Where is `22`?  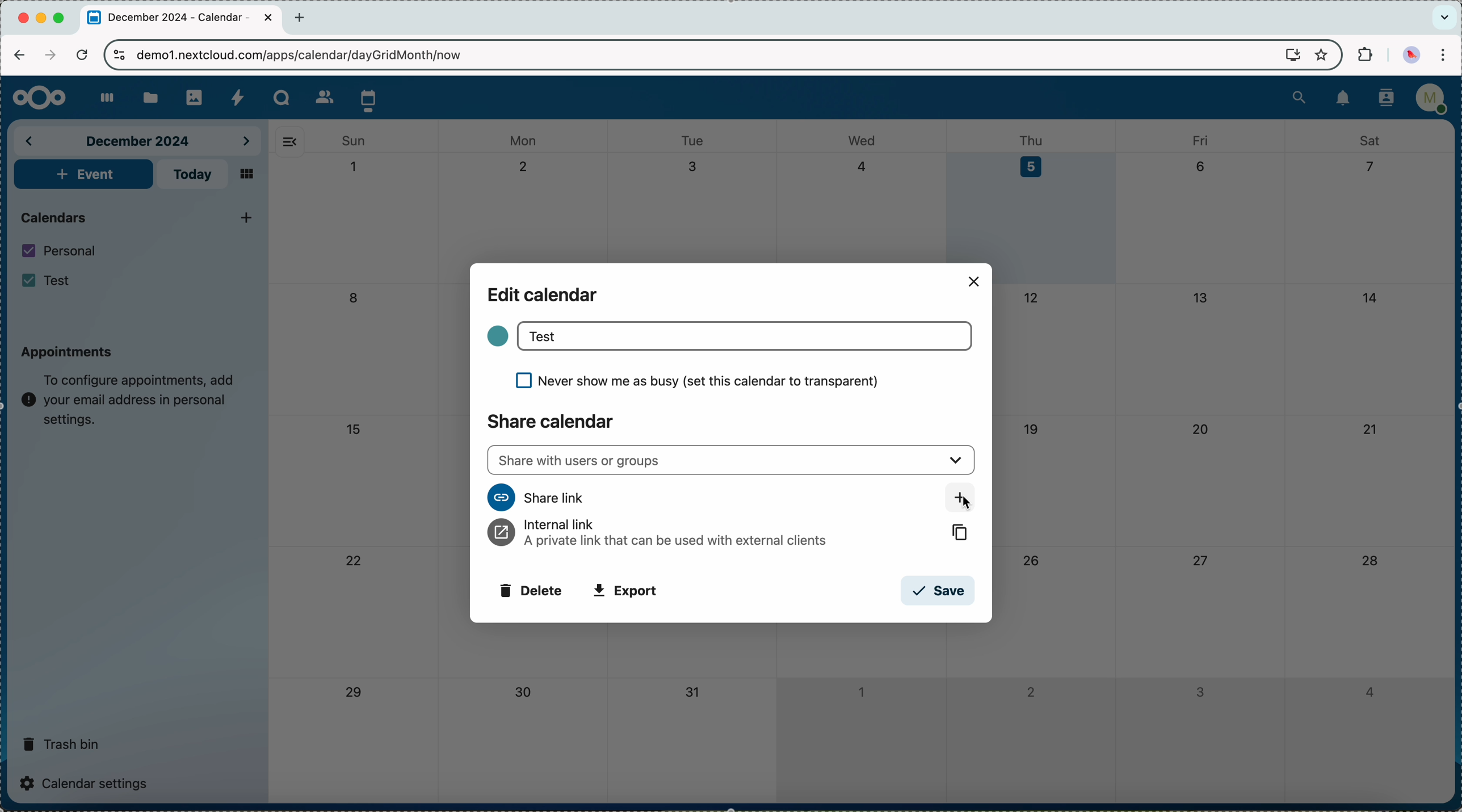
22 is located at coordinates (355, 563).